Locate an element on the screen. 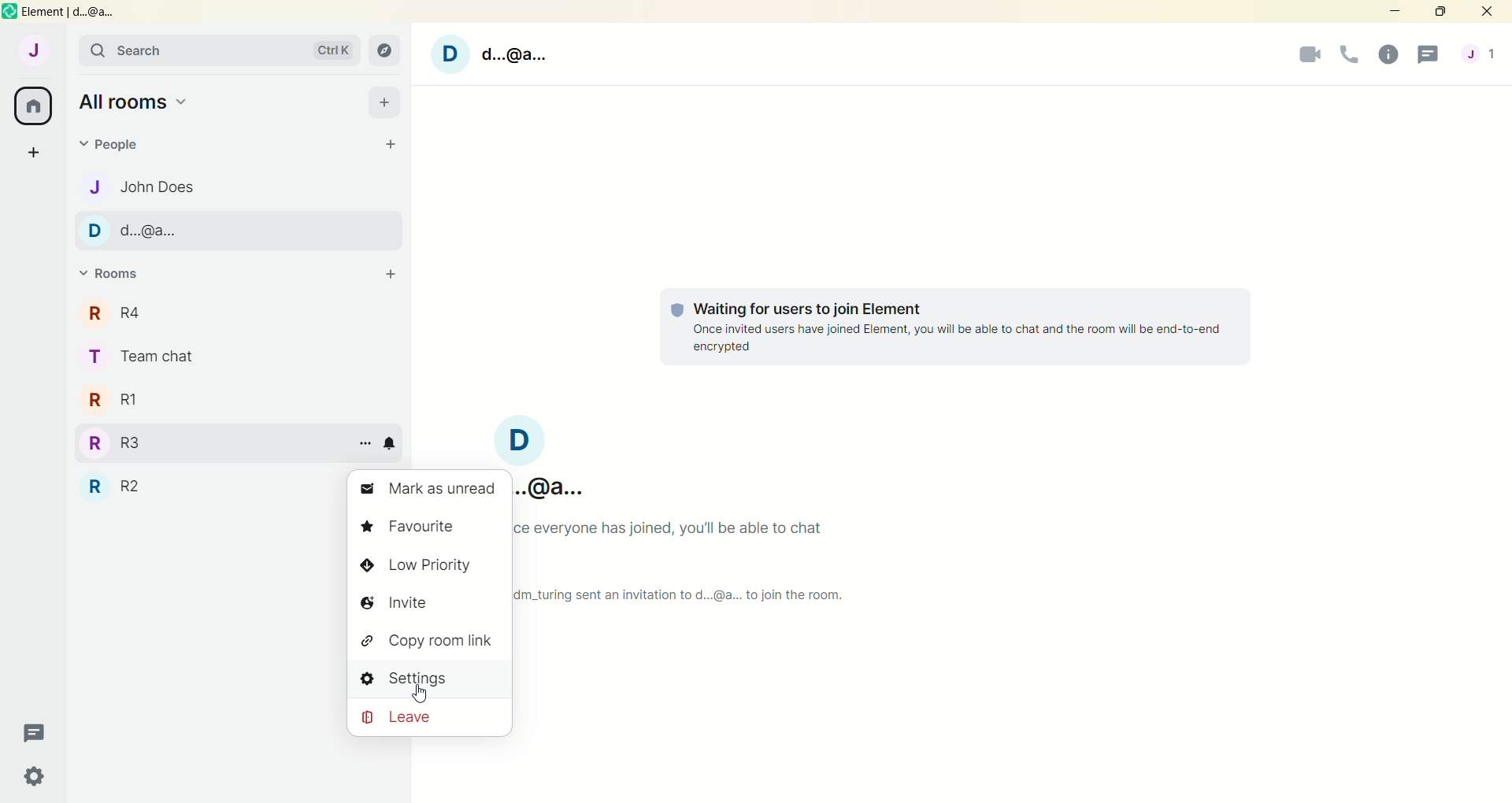 This screenshot has width=1512, height=803. people is located at coordinates (116, 145).